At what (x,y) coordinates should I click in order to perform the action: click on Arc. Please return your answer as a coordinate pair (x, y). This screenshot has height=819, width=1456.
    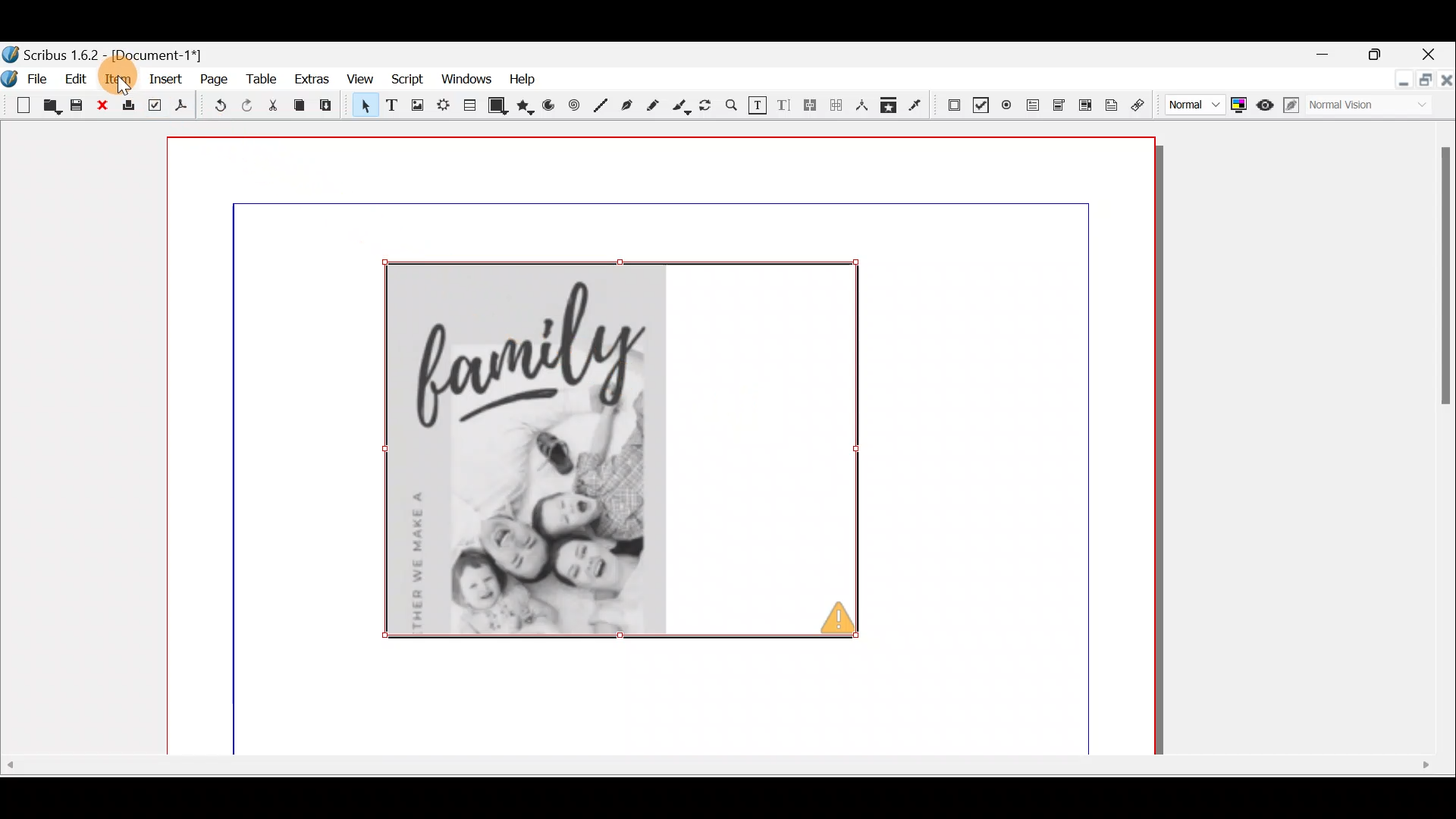
    Looking at the image, I should click on (553, 108).